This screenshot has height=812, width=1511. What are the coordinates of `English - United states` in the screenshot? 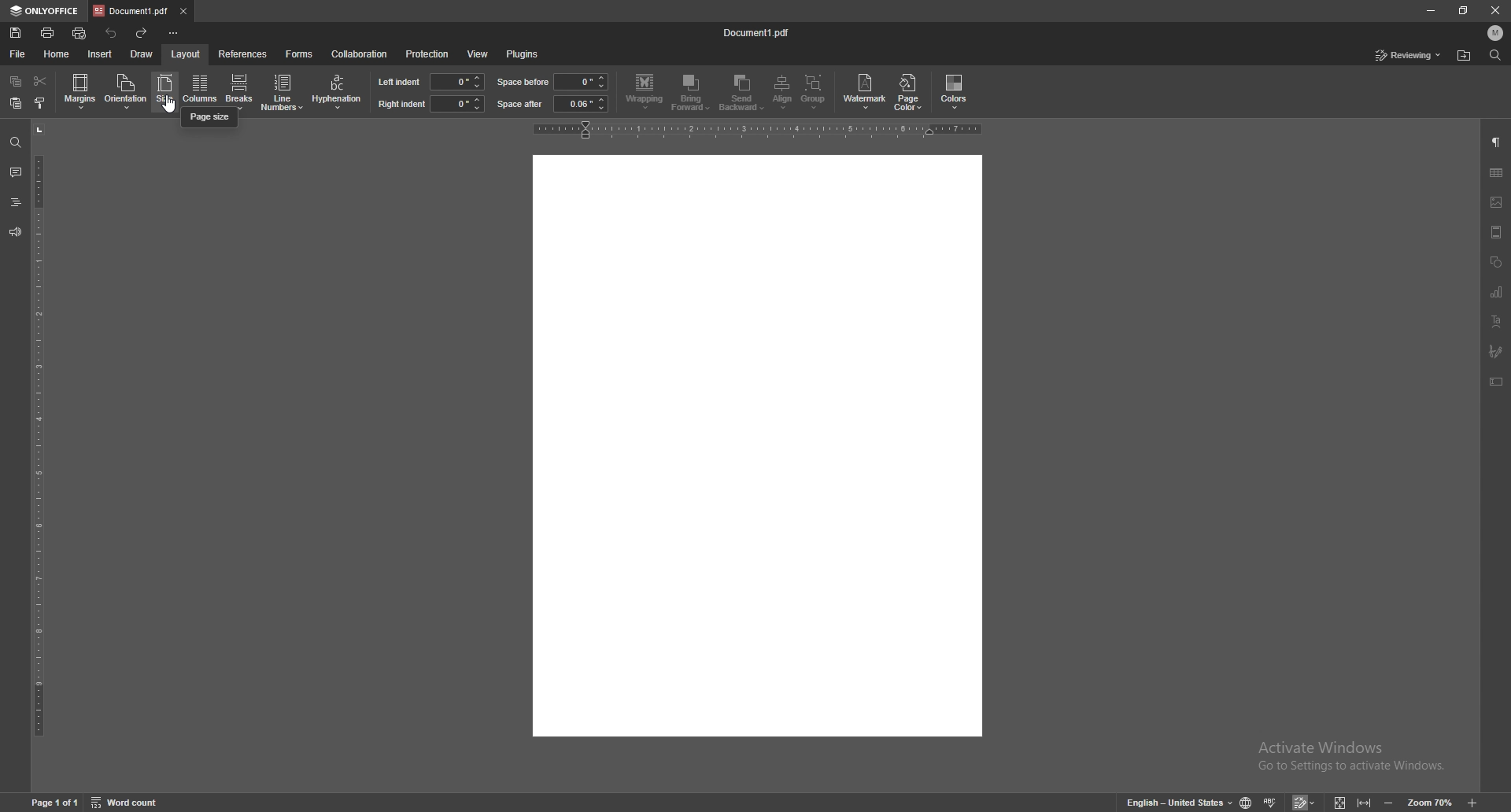 It's located at (1174, 803).